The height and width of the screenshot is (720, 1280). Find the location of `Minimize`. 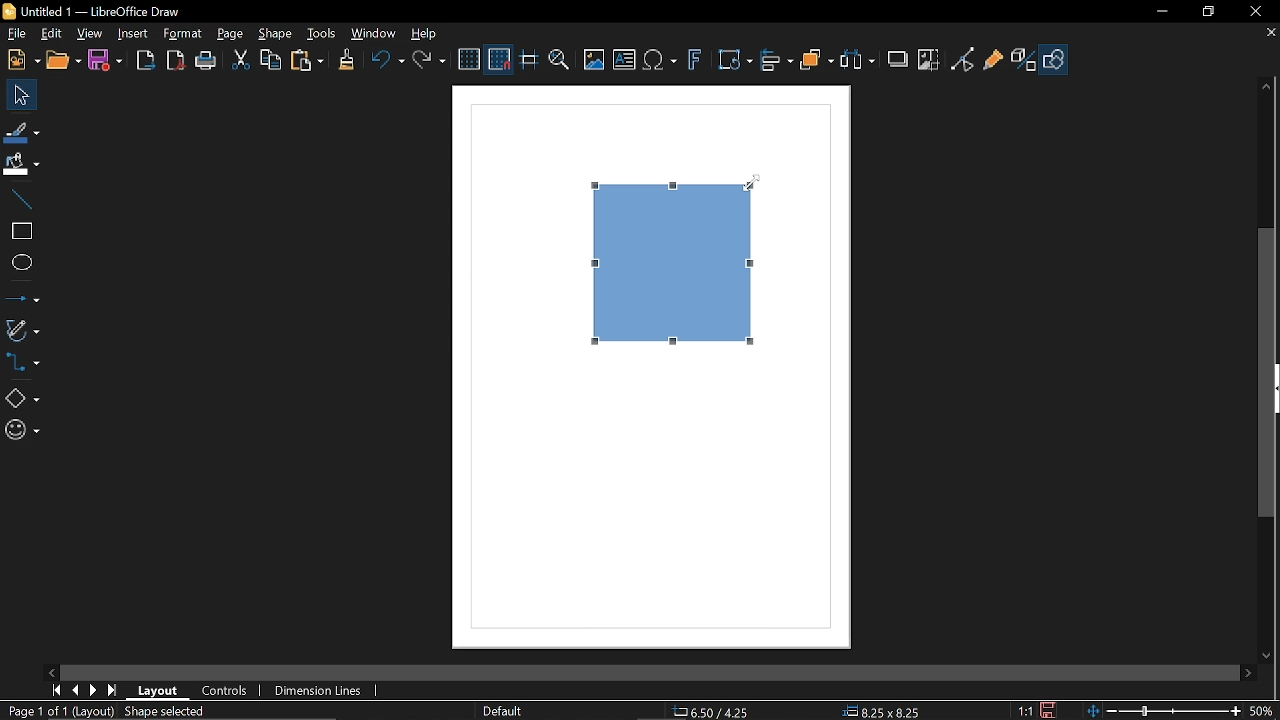

Minimize is located at coordinates (1160, 11).